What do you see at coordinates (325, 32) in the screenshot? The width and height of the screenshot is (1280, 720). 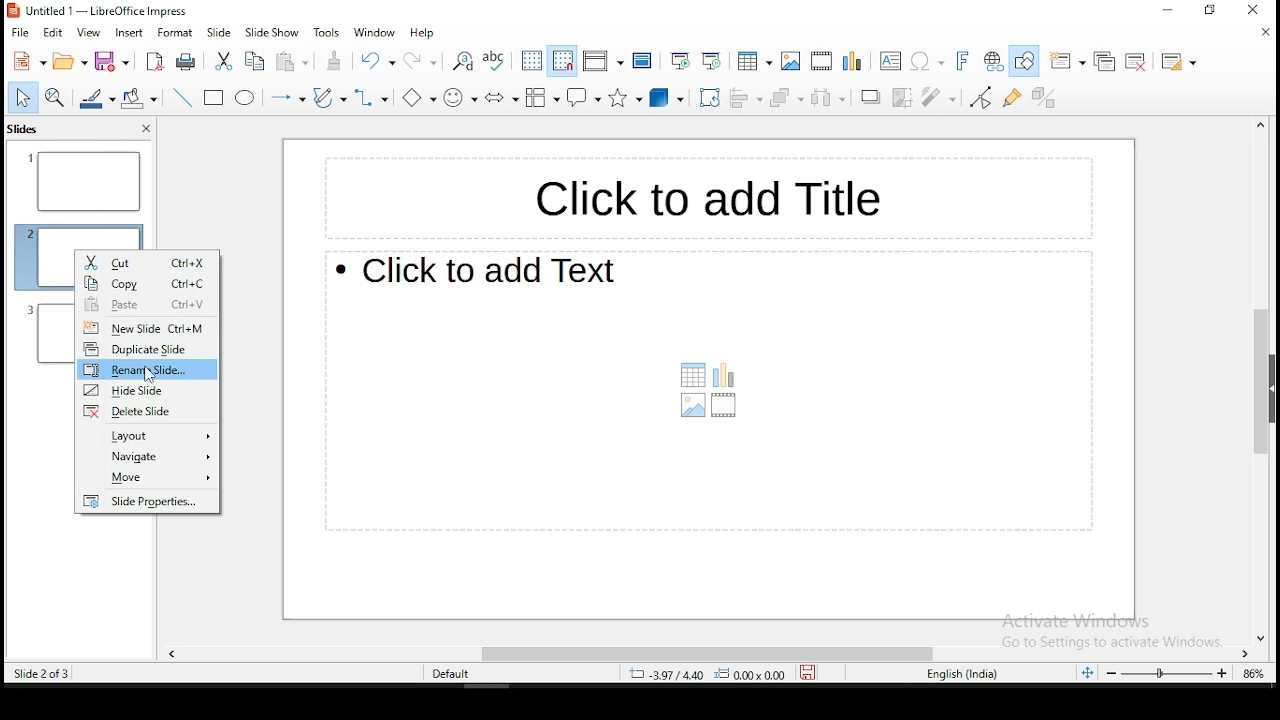 I see `tools` at bounding box center [325, 32].